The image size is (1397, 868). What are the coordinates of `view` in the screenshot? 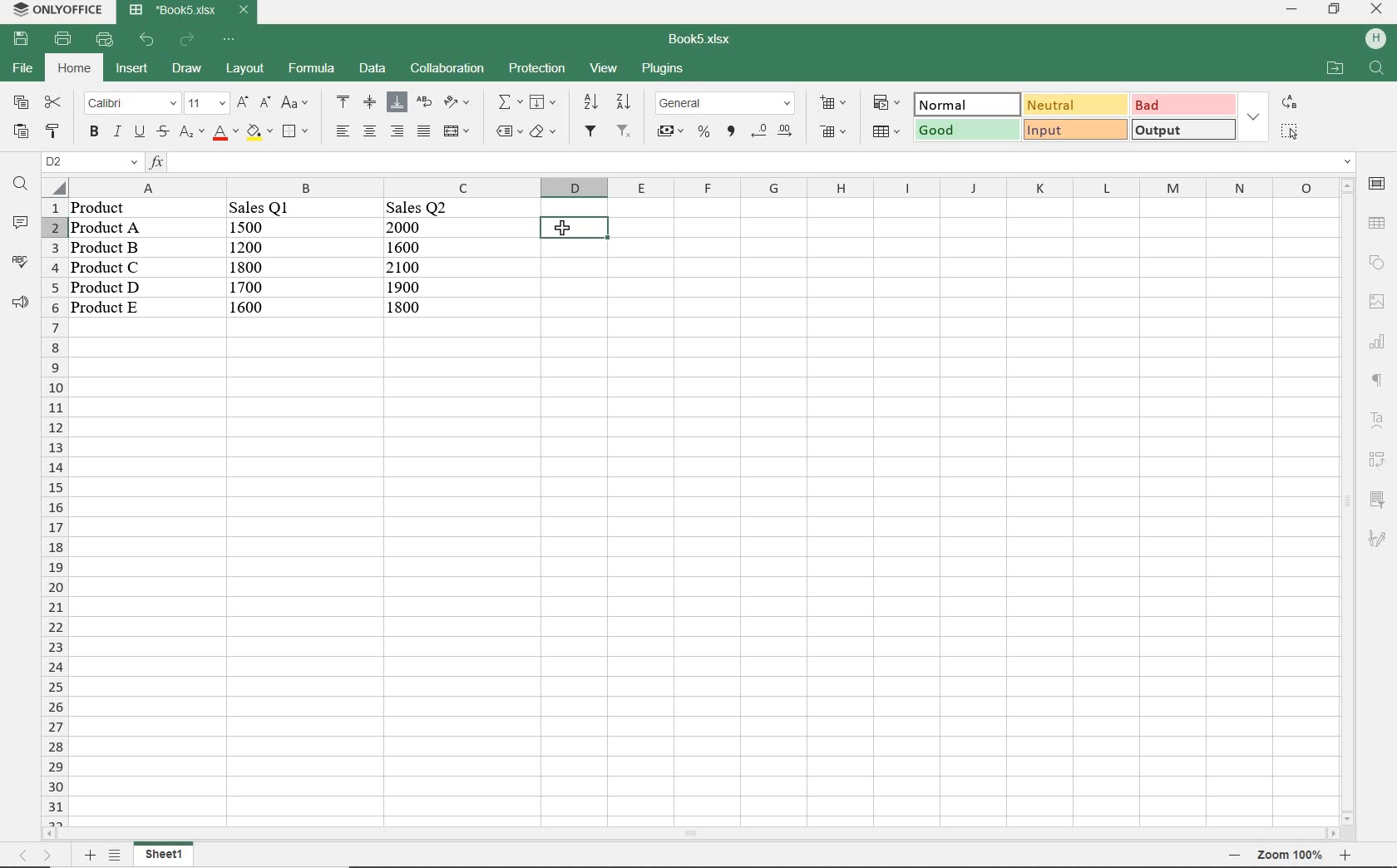 It's located at (604, 68).